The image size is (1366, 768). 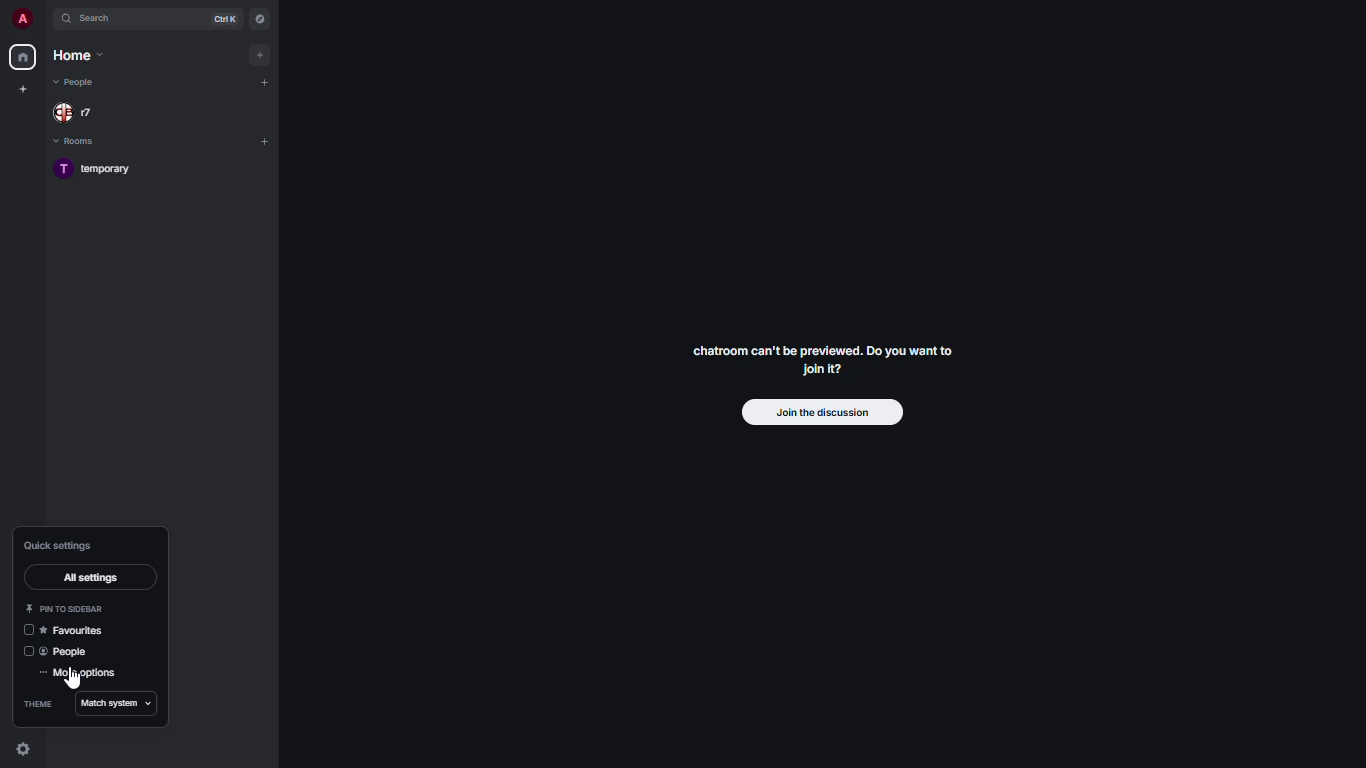 What do you see at coordinates (264, 139) in the screenshot?
I see `add` at bounding box center [264, 139].